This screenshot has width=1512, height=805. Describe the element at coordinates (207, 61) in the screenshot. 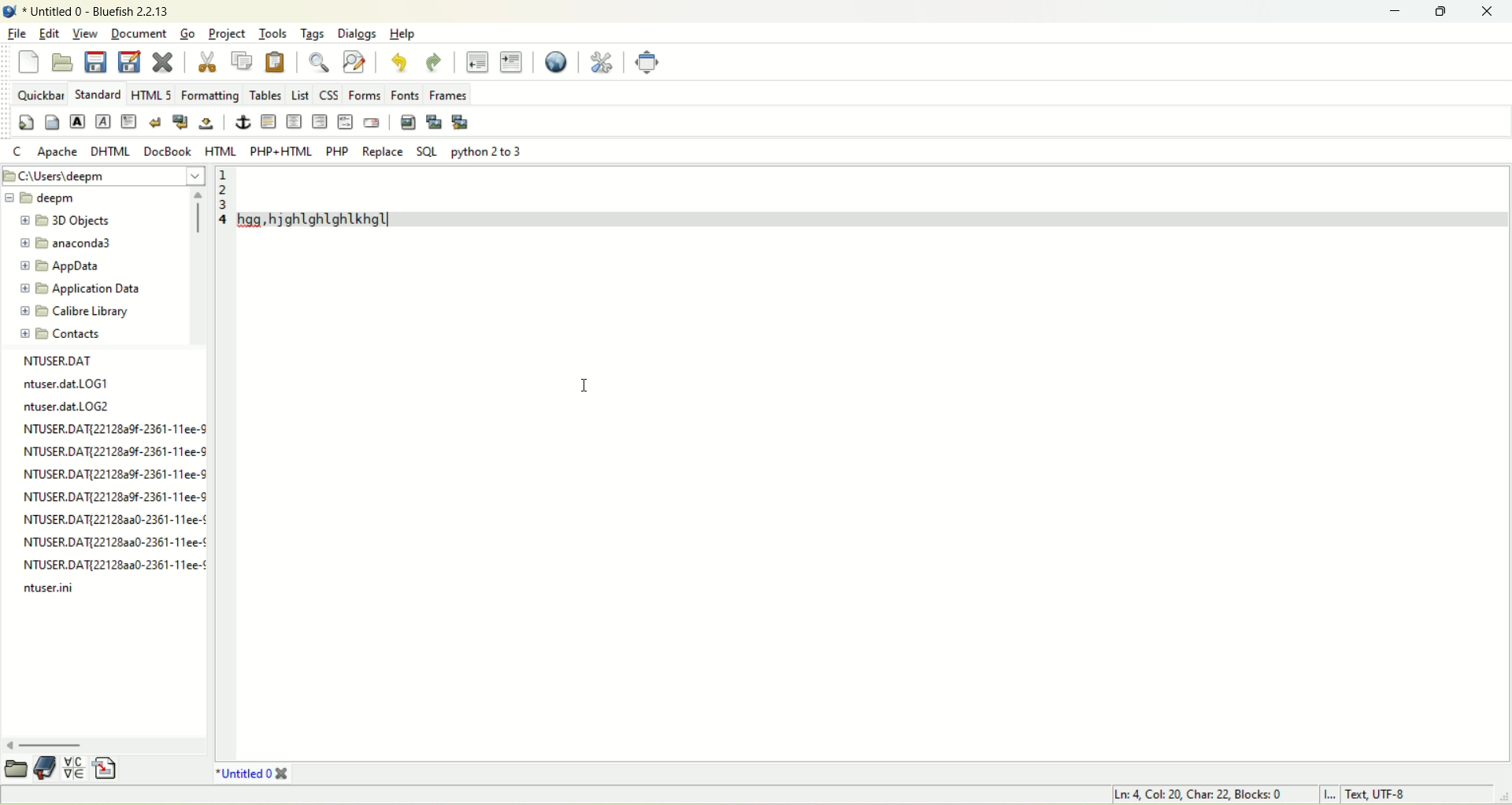

I see `cut` at that location.